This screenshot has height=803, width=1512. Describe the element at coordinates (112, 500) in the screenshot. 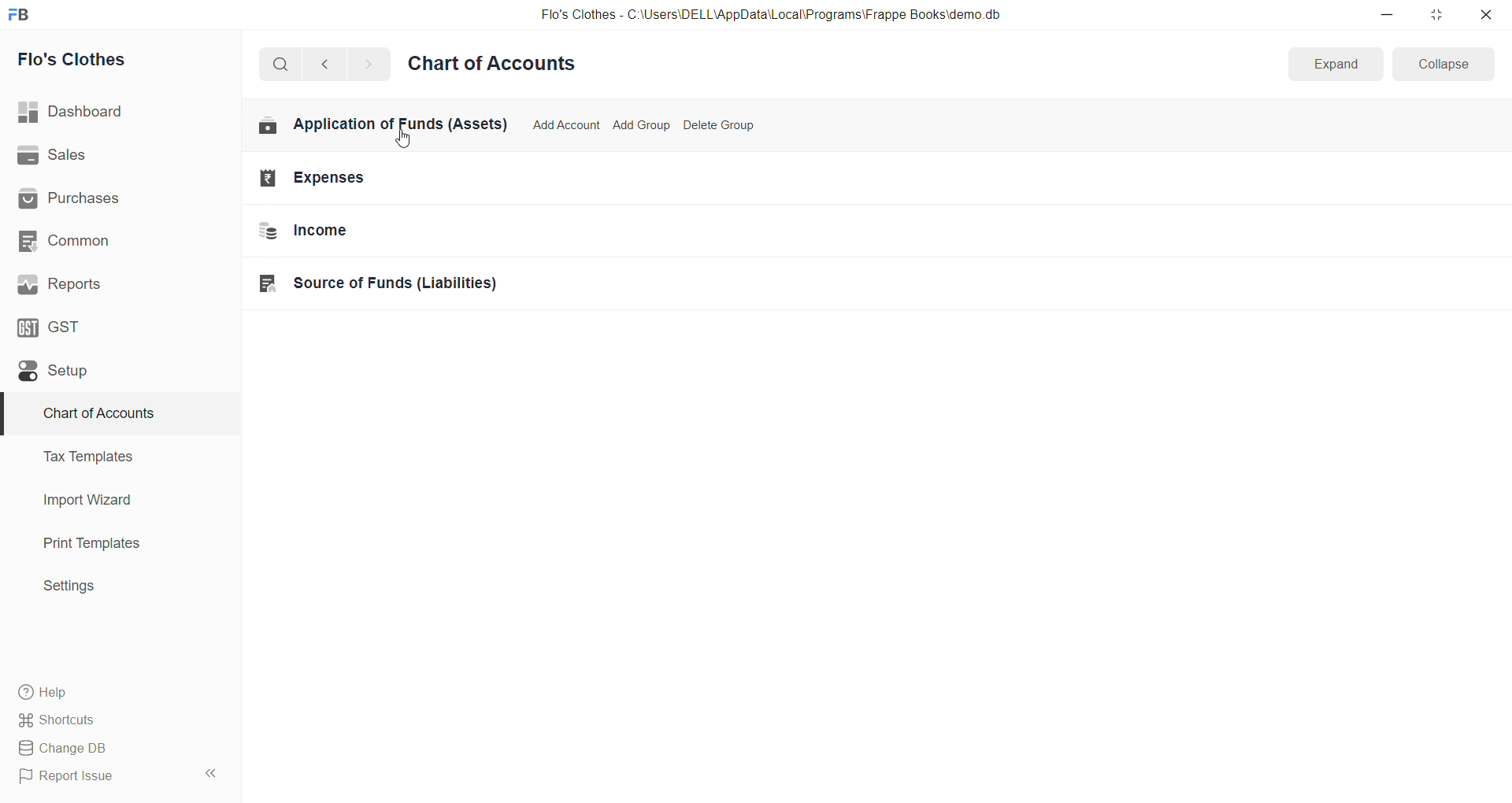

I see `Import Wizard` at that location.